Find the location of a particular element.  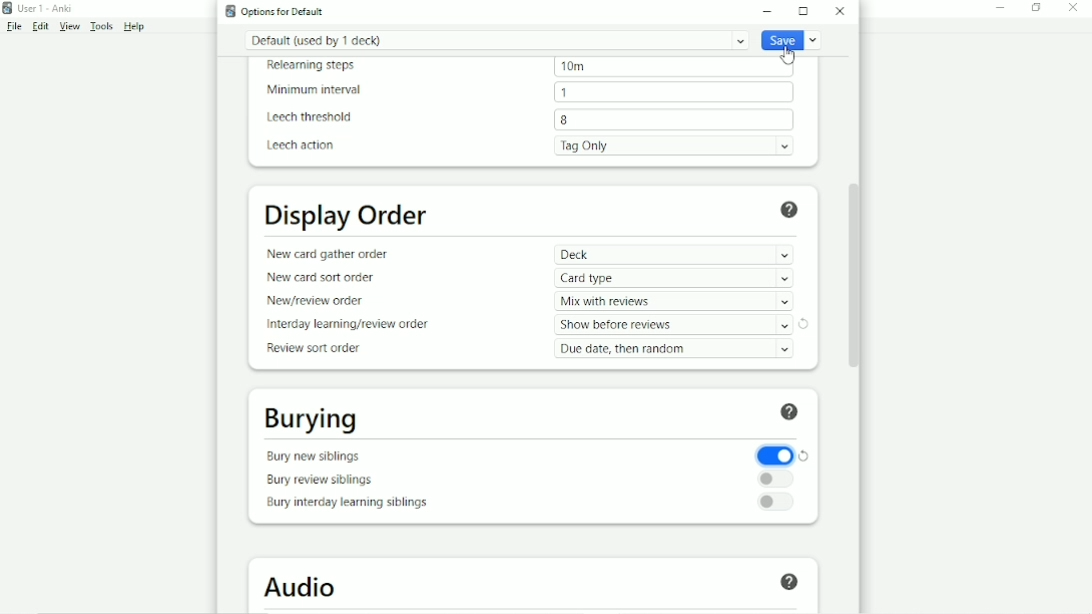

Minimum interval is located at coordinates (319, 90).